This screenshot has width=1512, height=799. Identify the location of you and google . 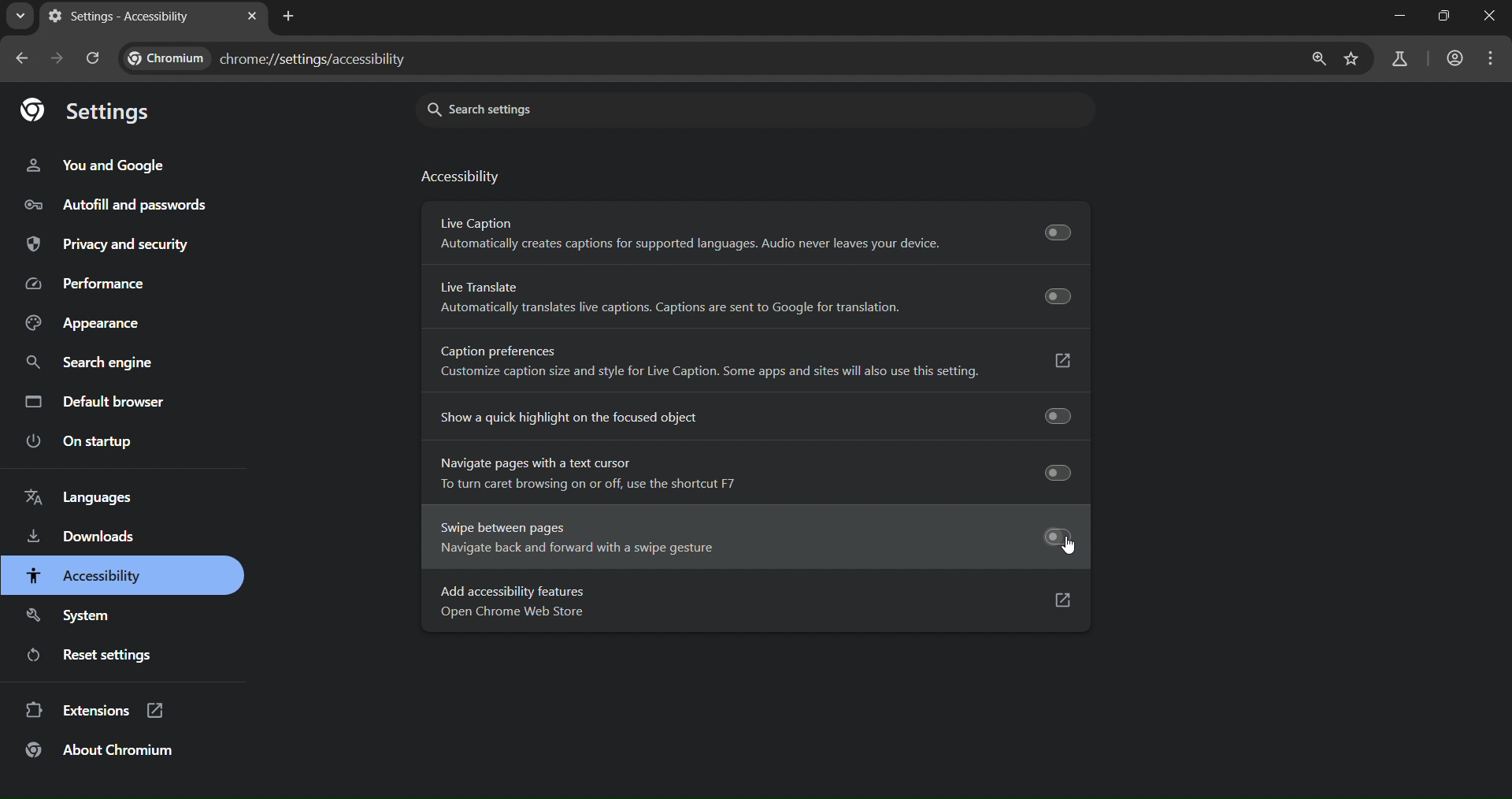
(102, 165).